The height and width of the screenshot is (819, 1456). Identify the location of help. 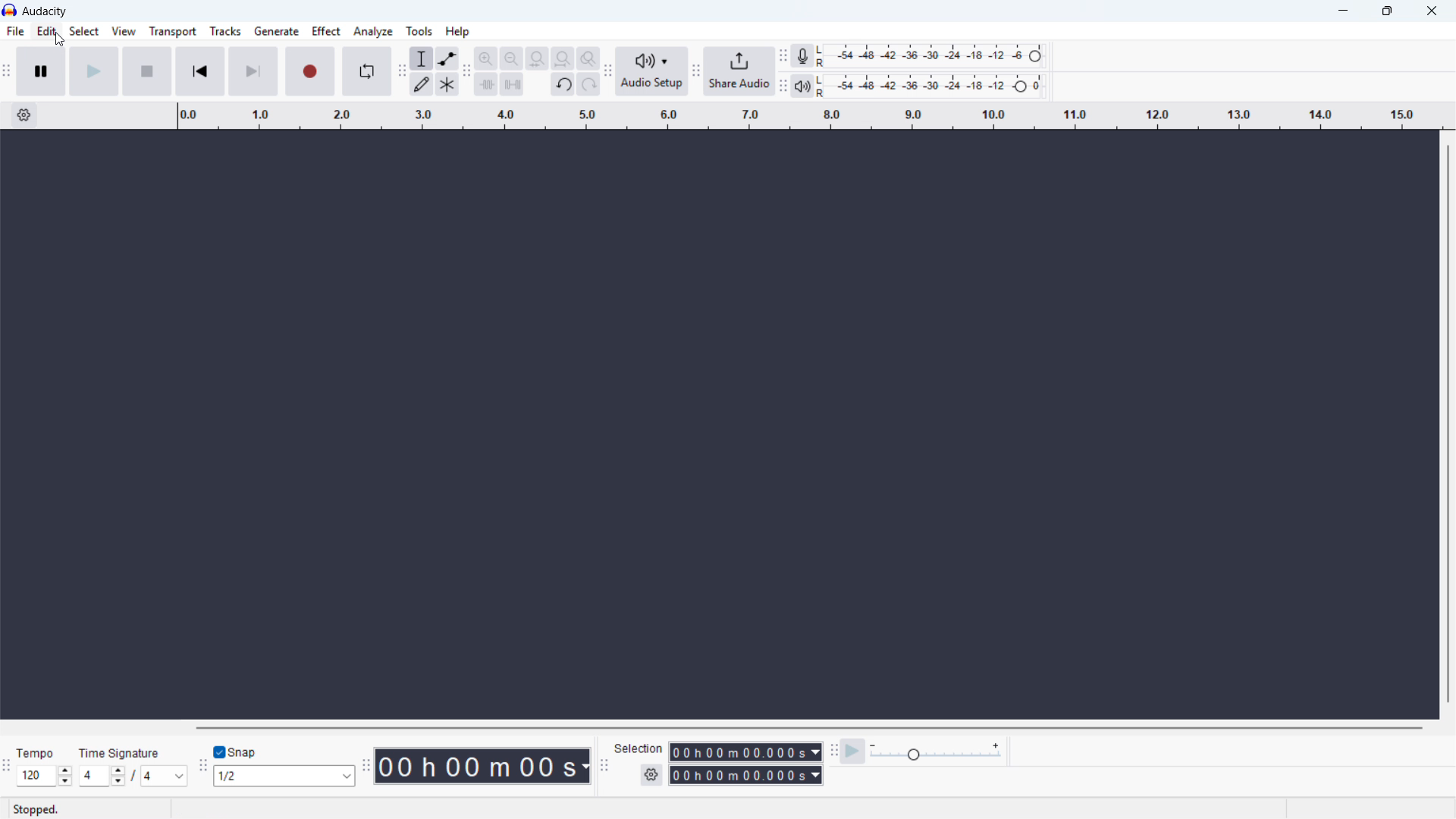
(458, 31).